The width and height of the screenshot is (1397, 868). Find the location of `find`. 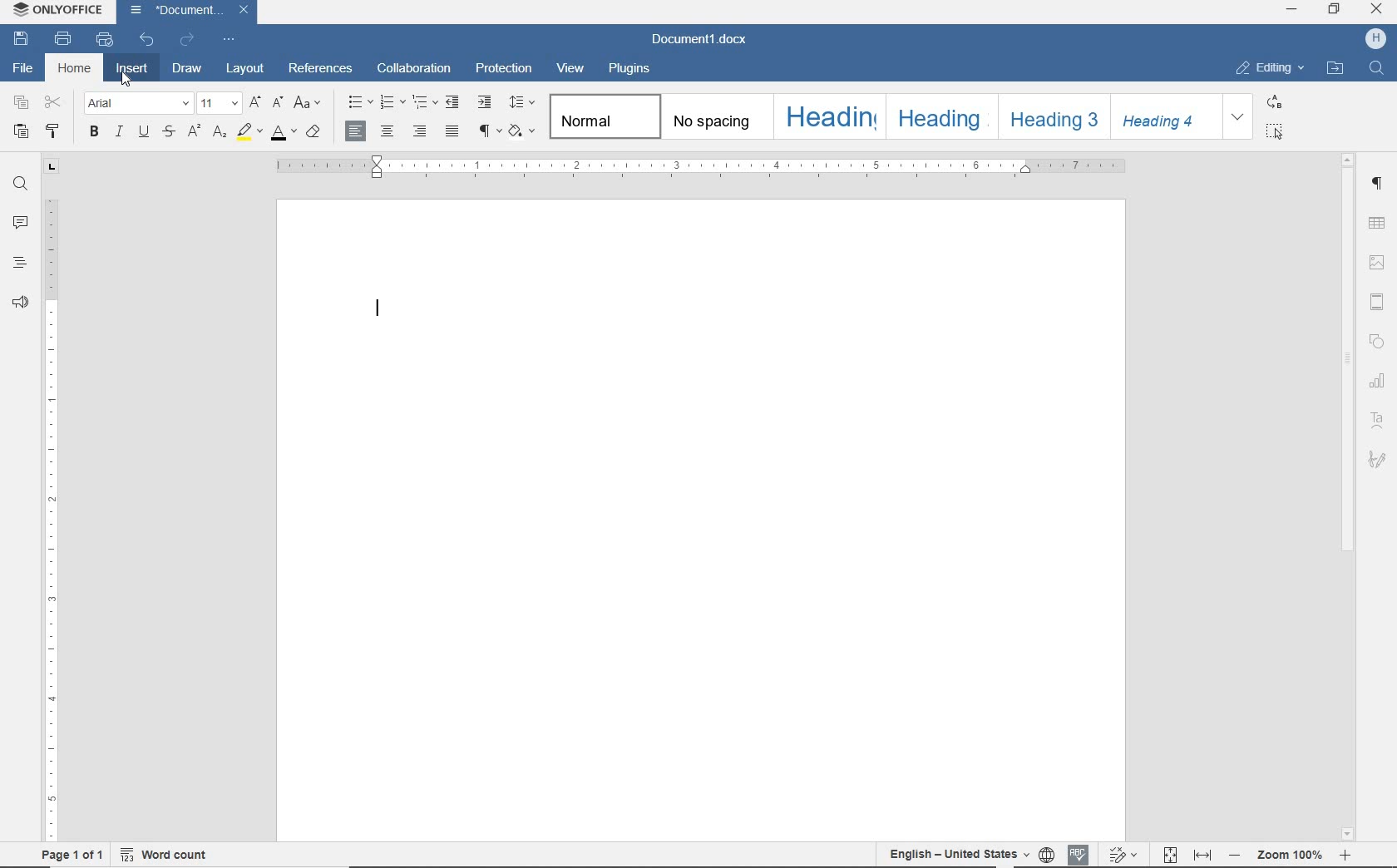

find is located at coordinates (1377, 70).